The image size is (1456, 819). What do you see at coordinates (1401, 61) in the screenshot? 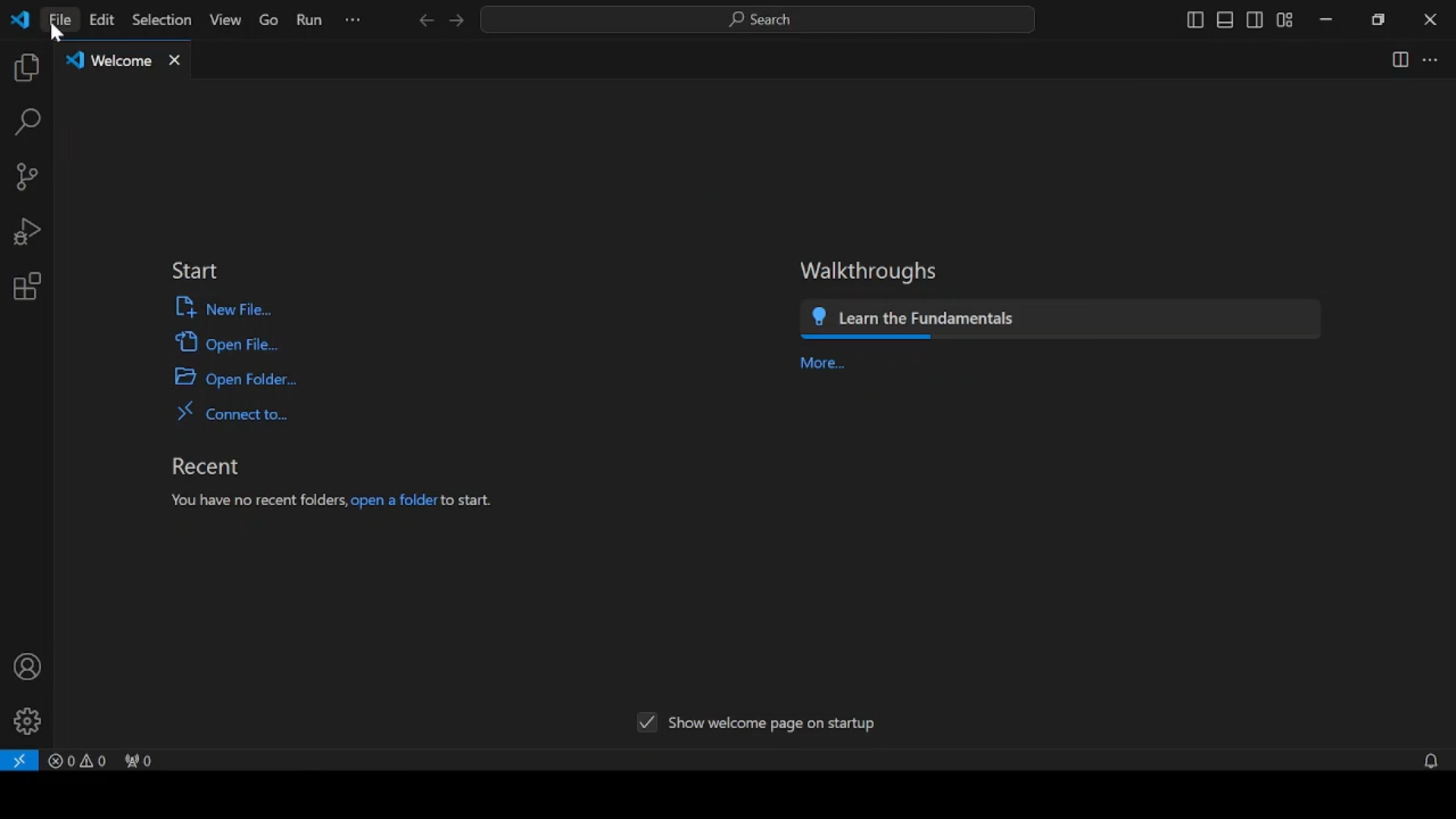
I see `split editor right` at bounding box center [1401, 61].